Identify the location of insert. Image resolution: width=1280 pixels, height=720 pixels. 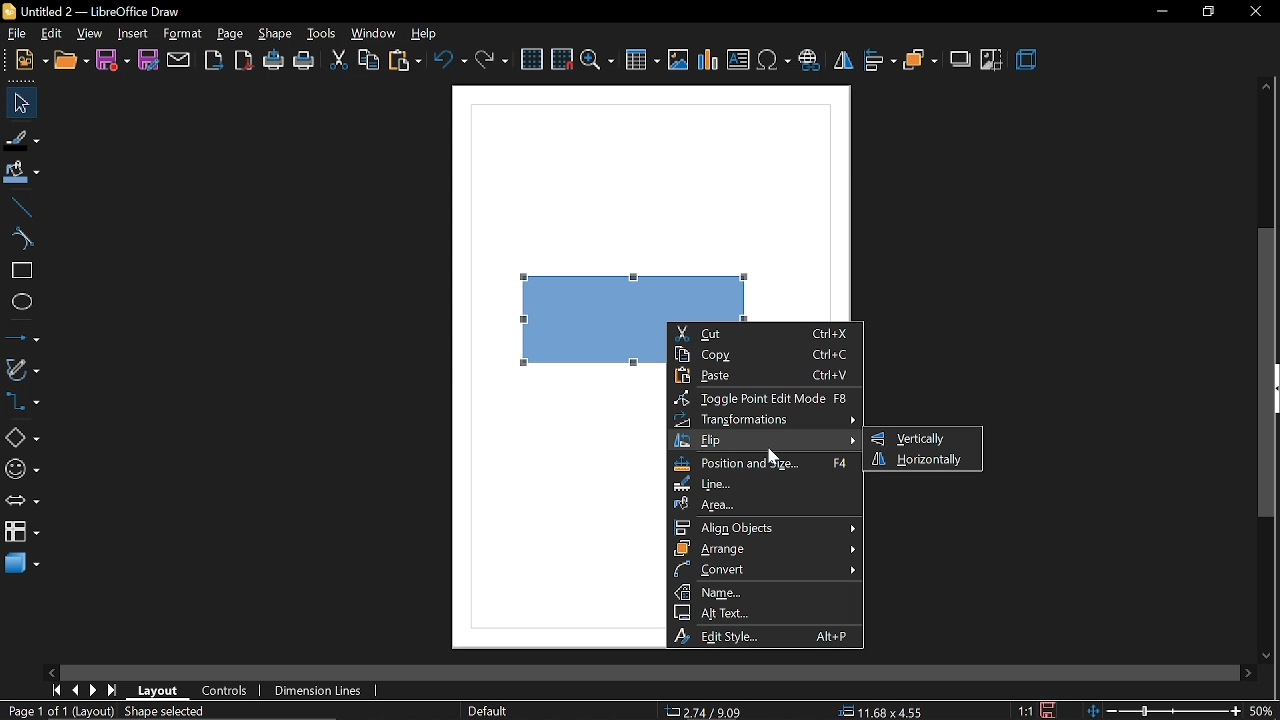
(132, 34).